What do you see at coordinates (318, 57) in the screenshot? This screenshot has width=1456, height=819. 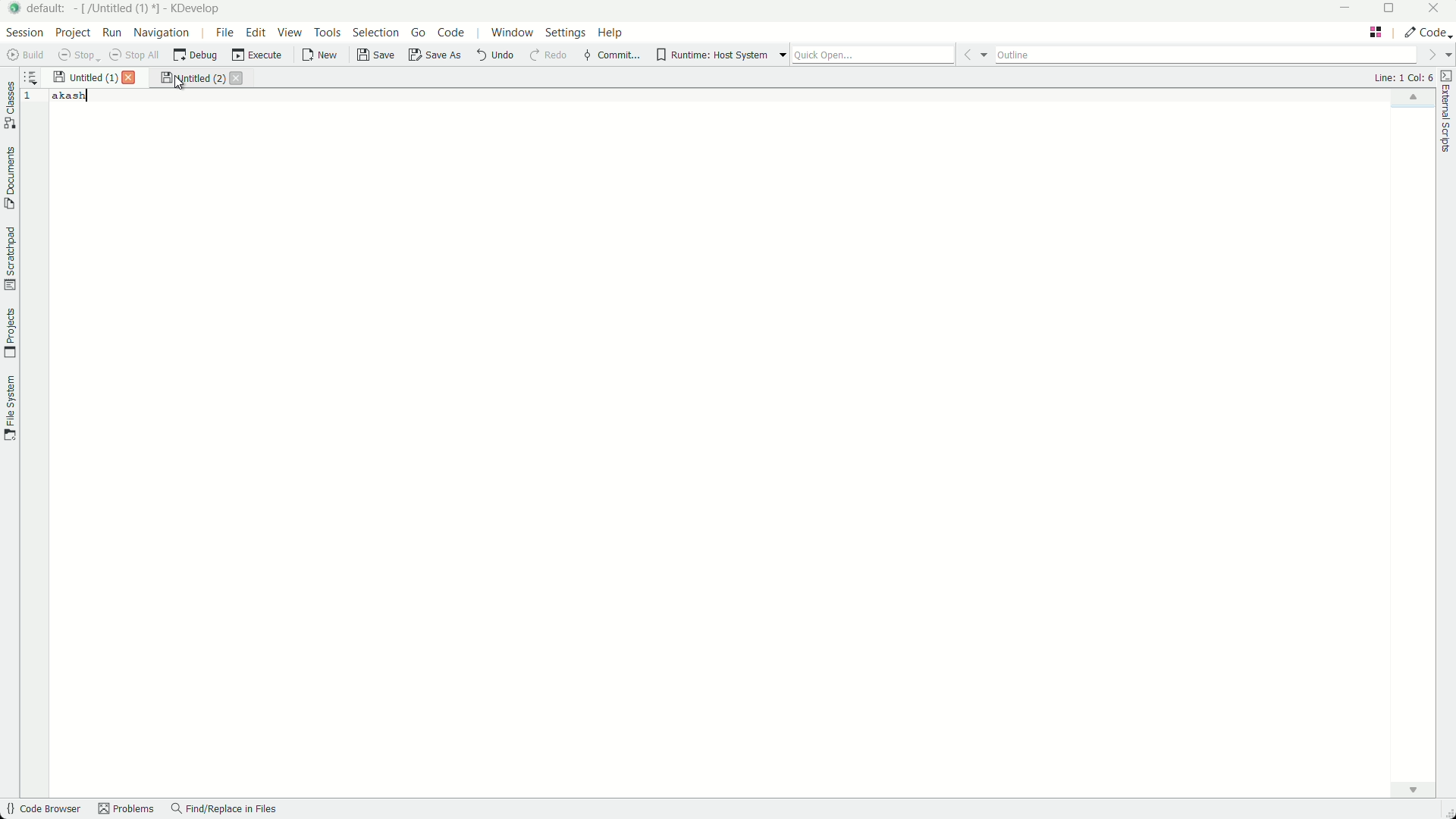 I see `new` at bounding box center [318, 57].